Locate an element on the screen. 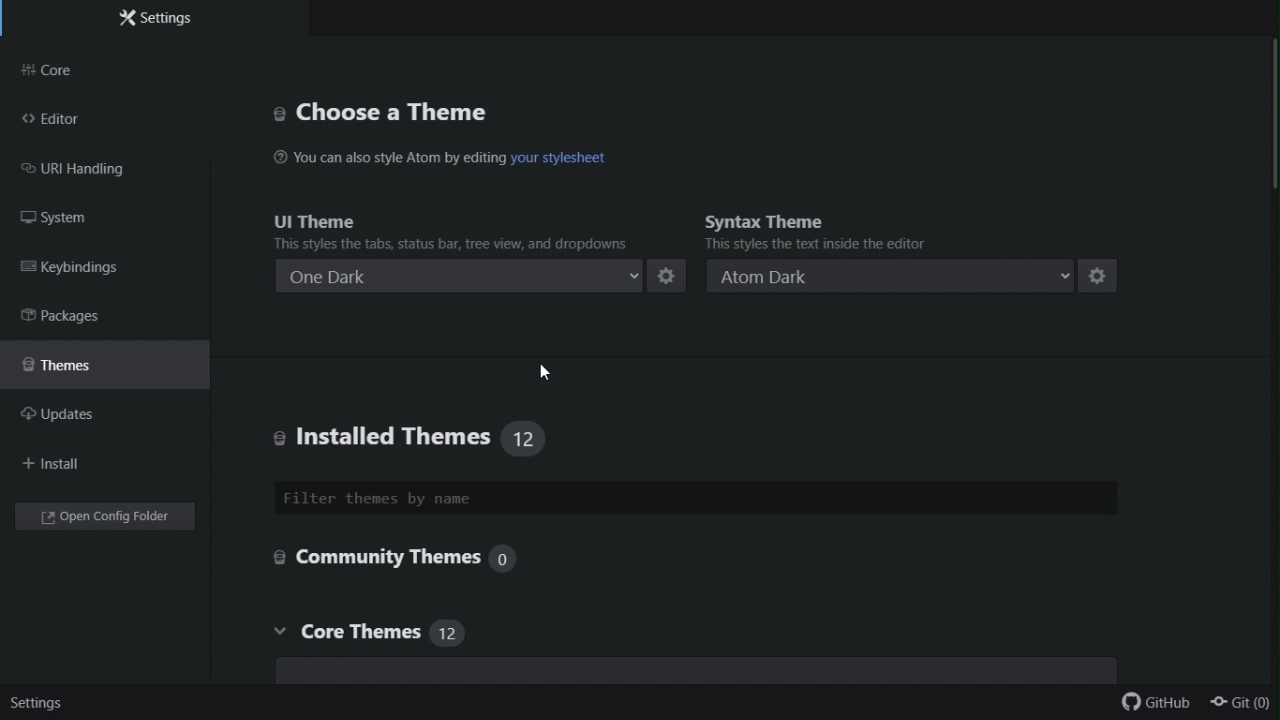  setting is located at coordinates (1106, 276).